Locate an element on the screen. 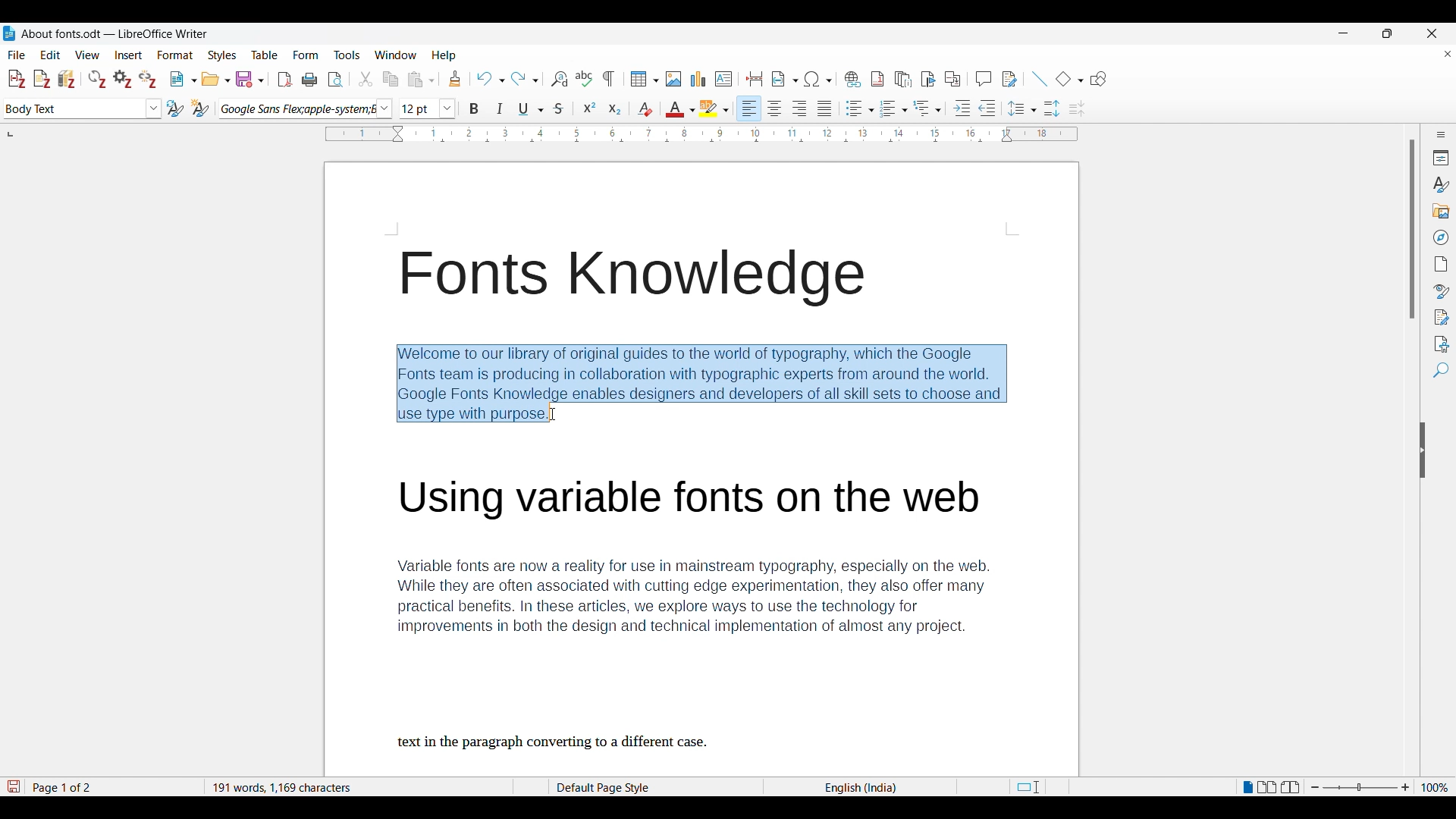 This screenshot has width=1456, height=819. Increase indent is located at coordinates (962, 108).